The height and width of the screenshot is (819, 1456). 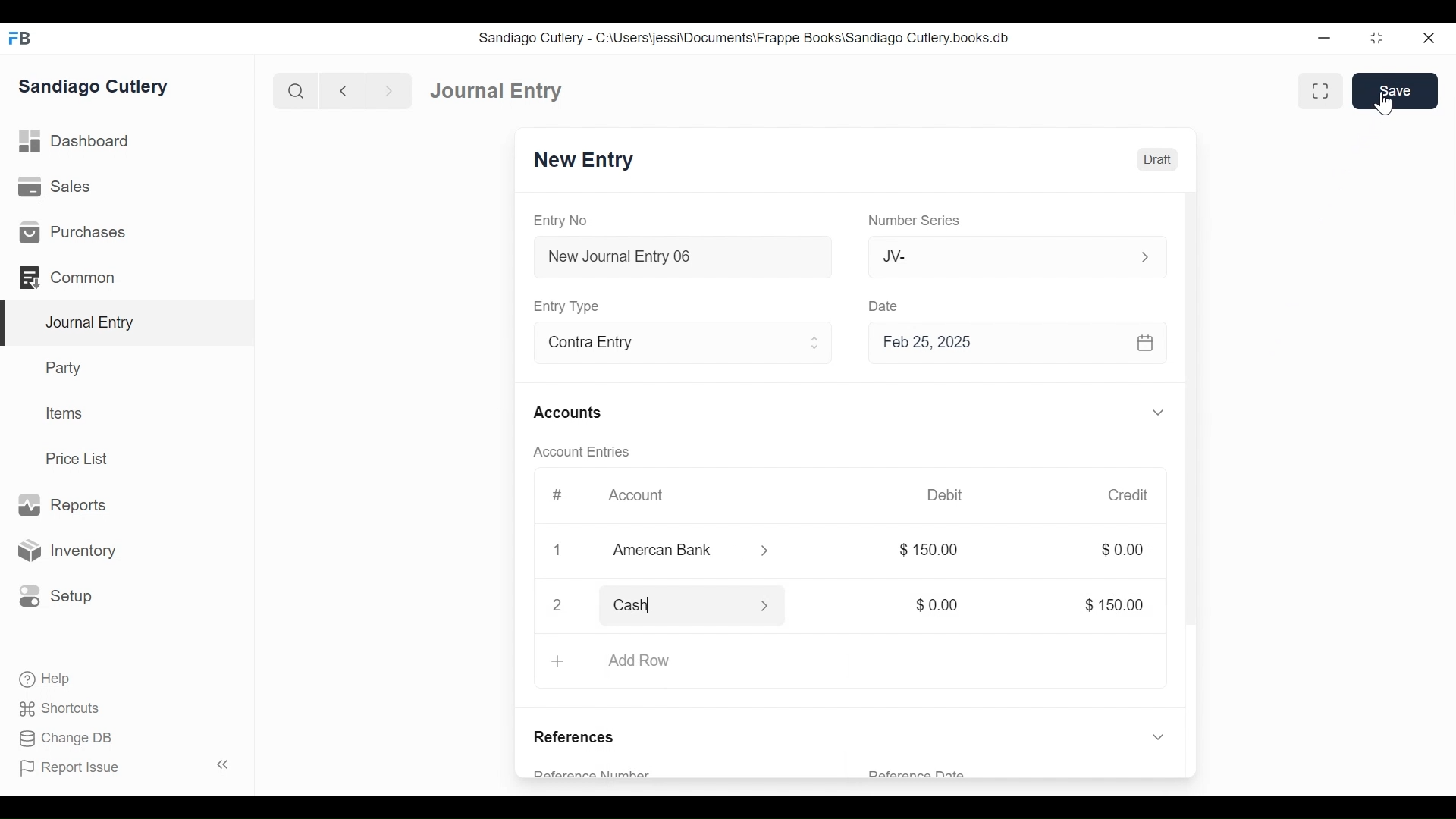 I want to click on Price List, so click(x=82, y=459).